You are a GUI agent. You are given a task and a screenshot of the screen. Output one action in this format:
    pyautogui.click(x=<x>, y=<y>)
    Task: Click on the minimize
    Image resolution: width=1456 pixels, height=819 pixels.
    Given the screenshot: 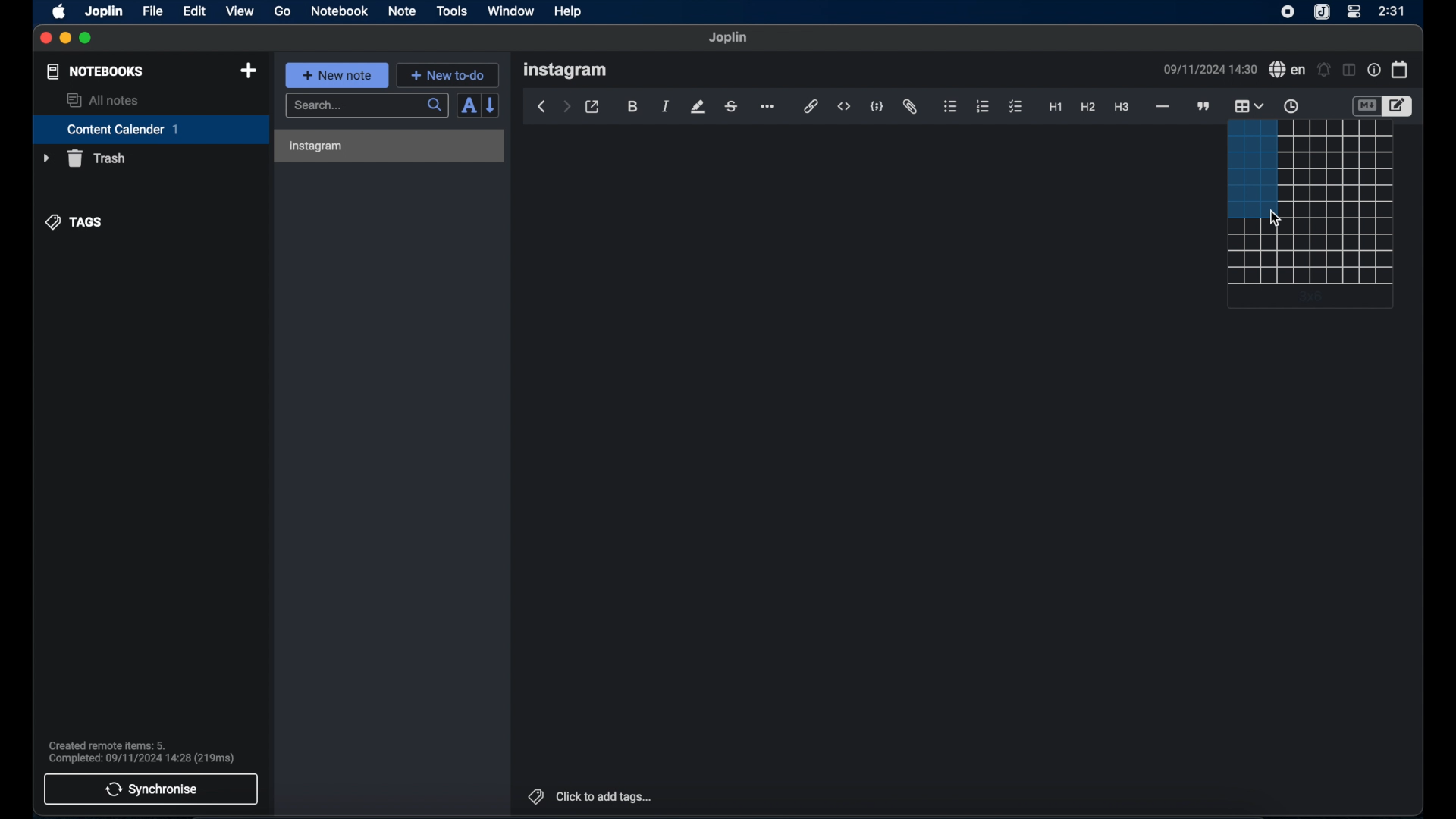 What is the action you would take?
    pyautogui.click(x=64, y=39)
    